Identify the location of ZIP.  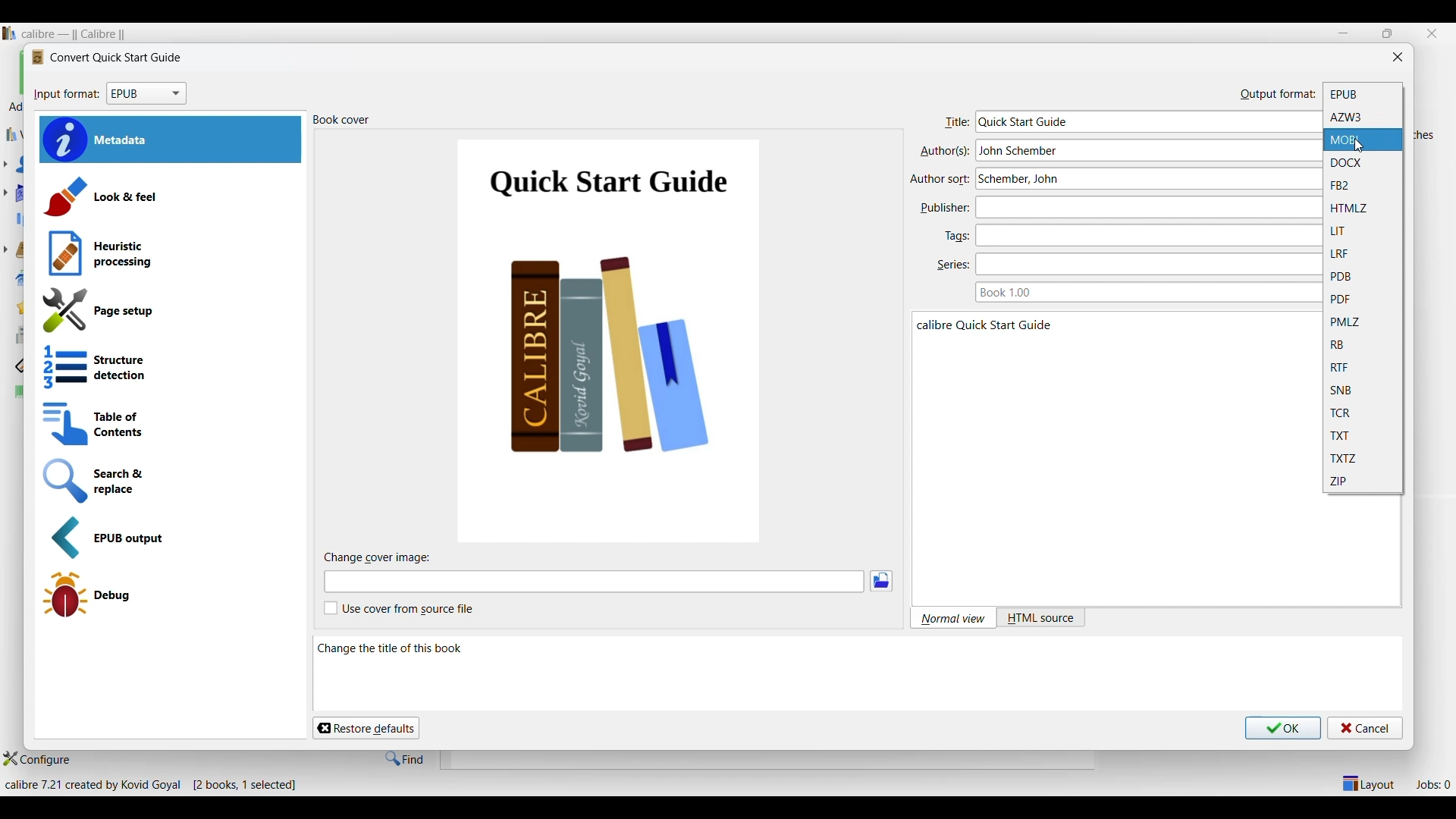
(1363, 482).